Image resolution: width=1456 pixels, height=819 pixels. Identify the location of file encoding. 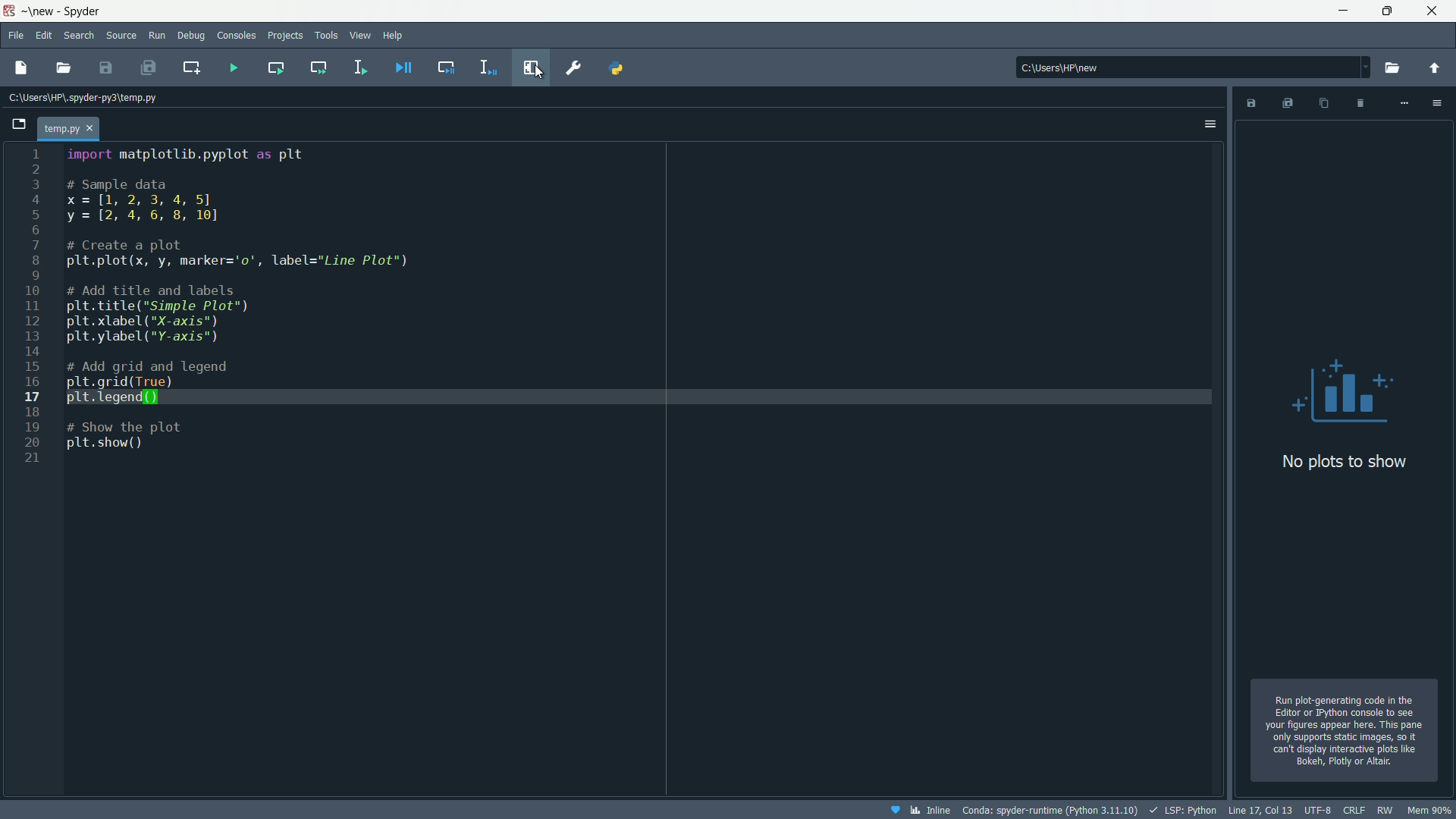
(1317, 811).